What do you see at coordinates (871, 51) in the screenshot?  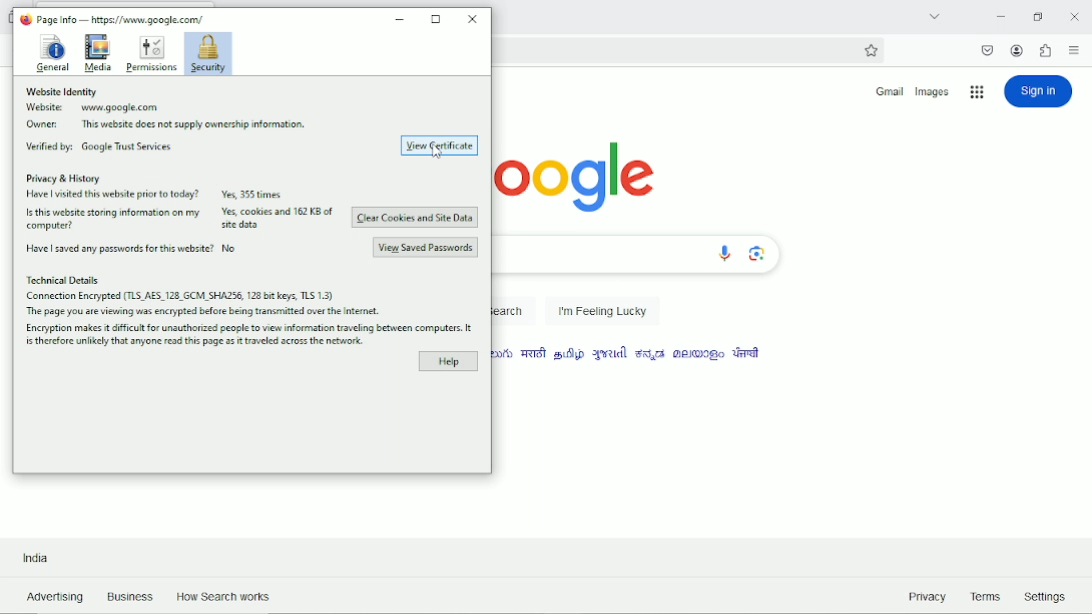 I see `Bookmark this page` at bounding box center [871, 51].